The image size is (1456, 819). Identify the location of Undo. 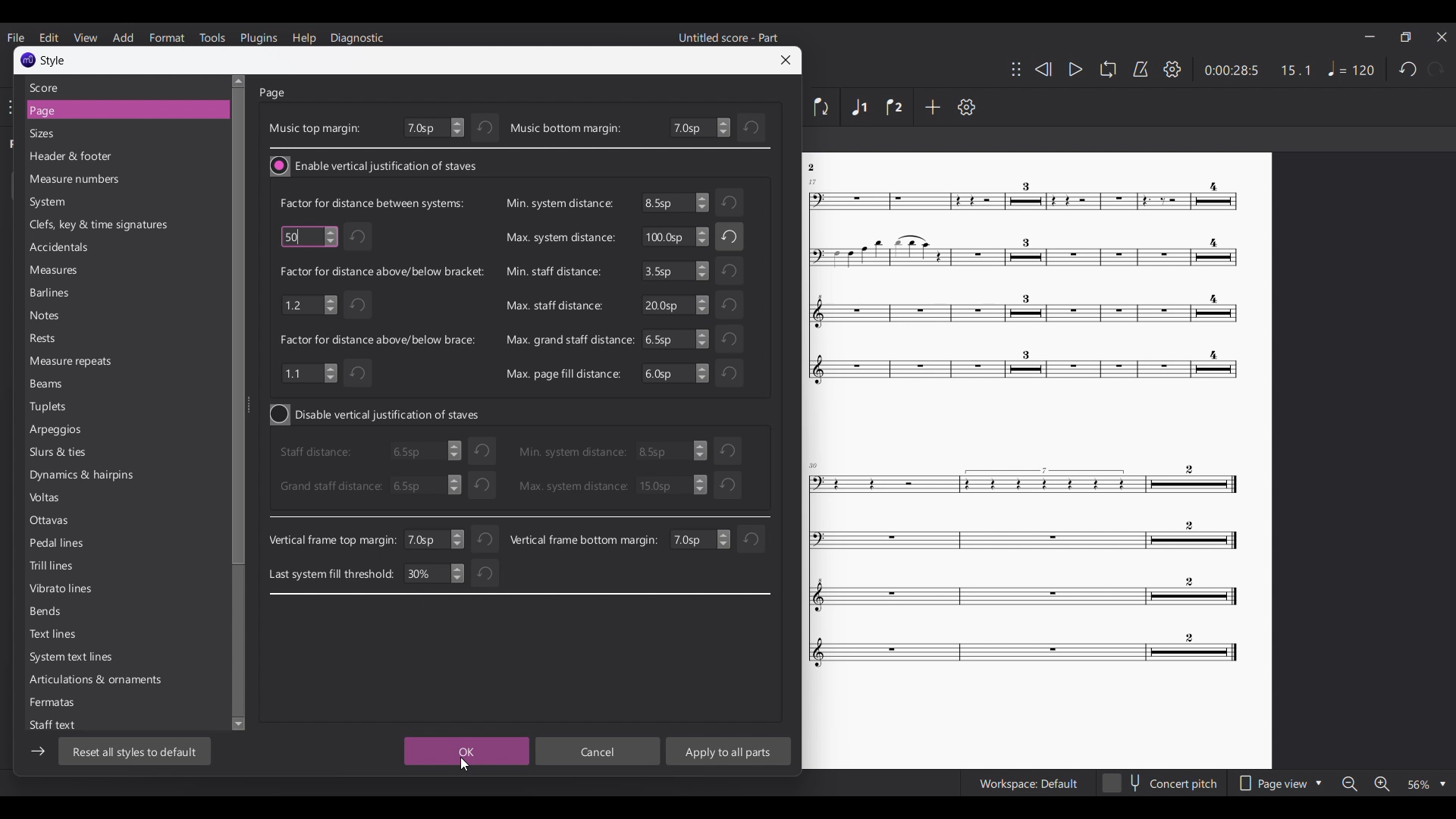
(728, 372).